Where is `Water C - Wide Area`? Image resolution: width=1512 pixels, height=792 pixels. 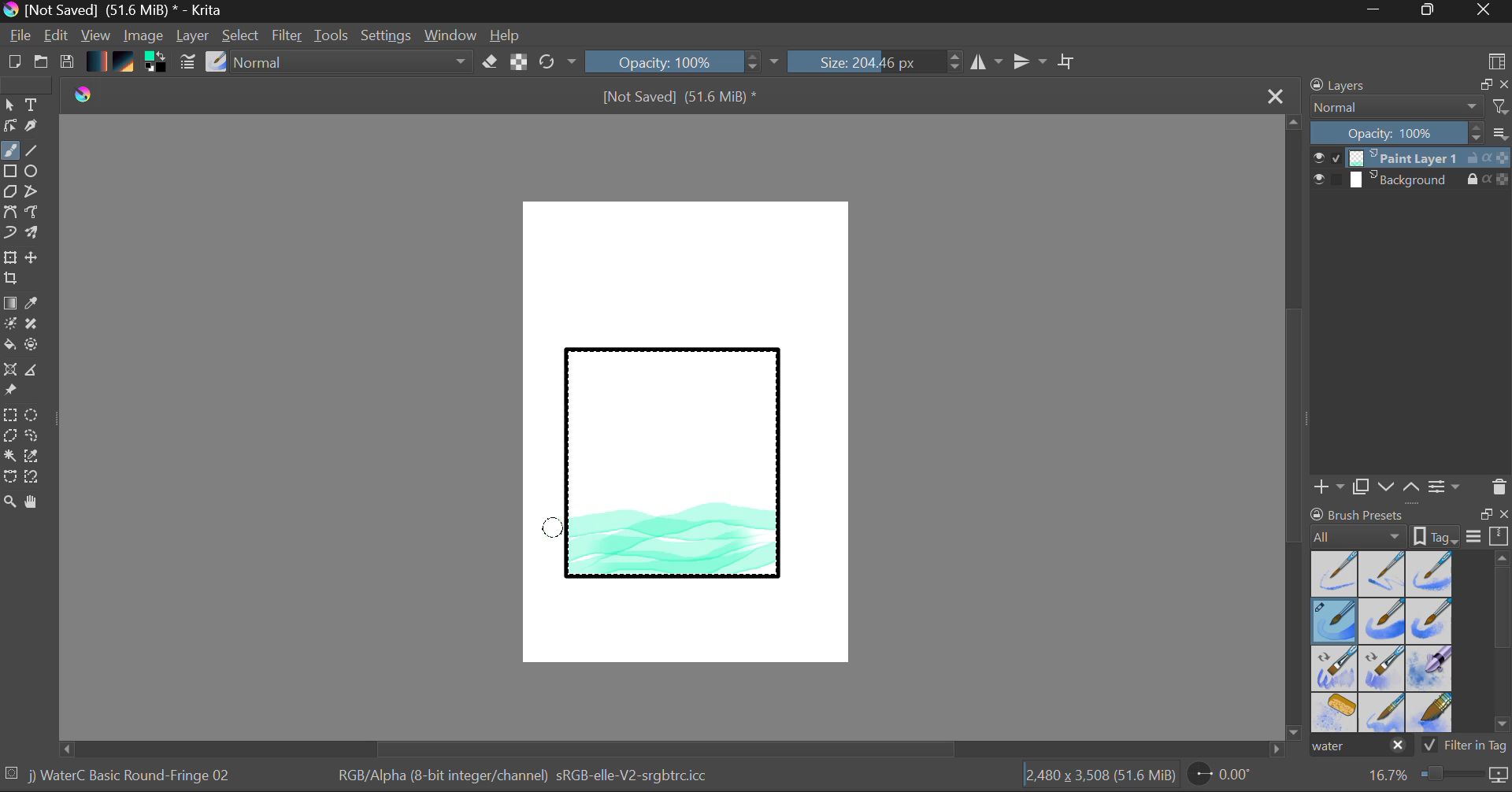 Water C - Wide Area is located at coordinates (1432, 713).